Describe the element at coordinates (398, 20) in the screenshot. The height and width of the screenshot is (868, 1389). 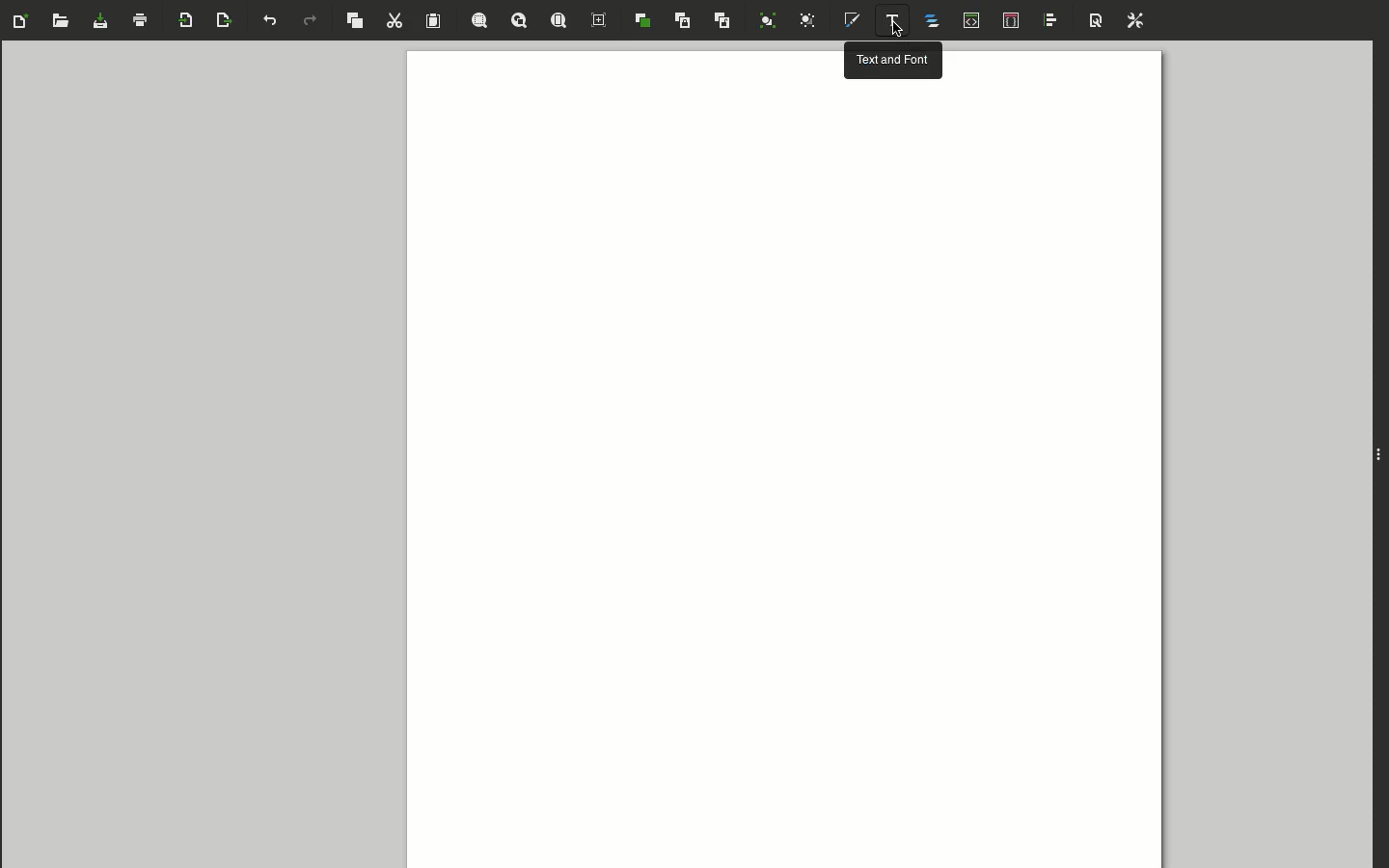
I see `Cut` at that location.